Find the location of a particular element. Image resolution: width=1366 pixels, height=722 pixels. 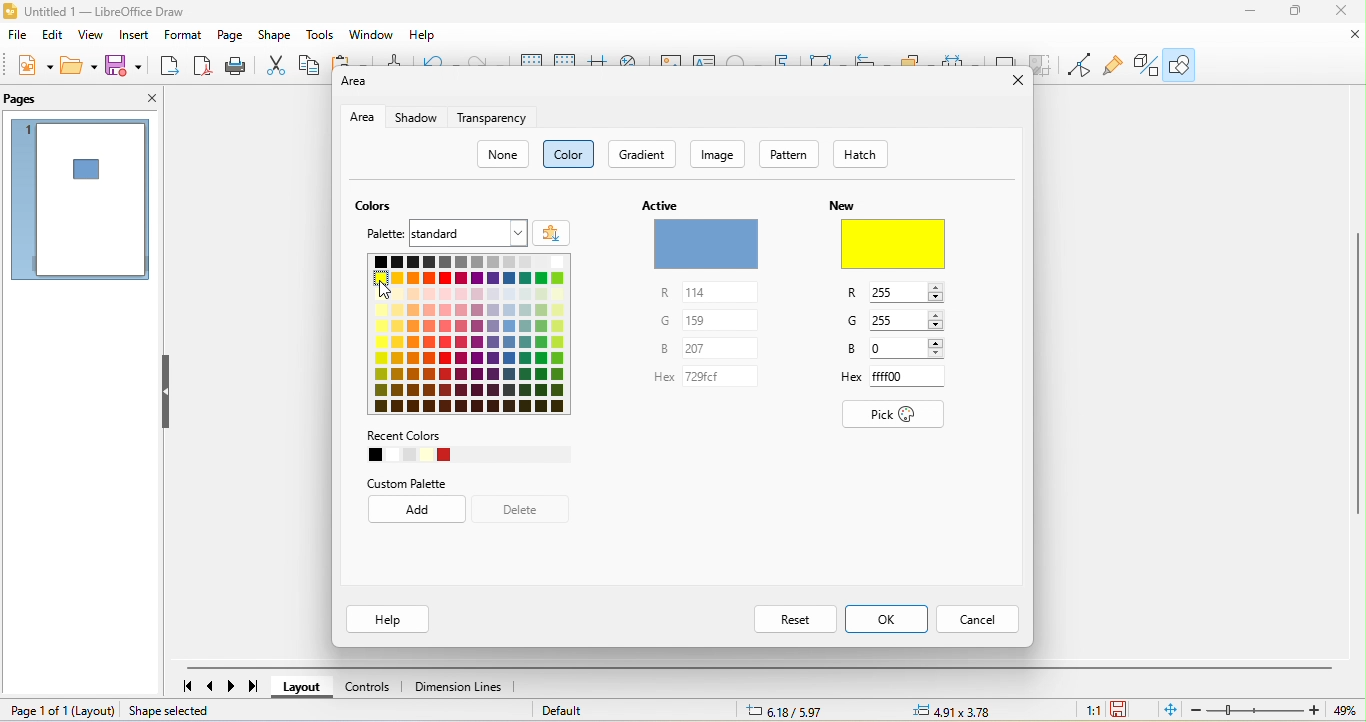

image is located at coordinates (722, 153).